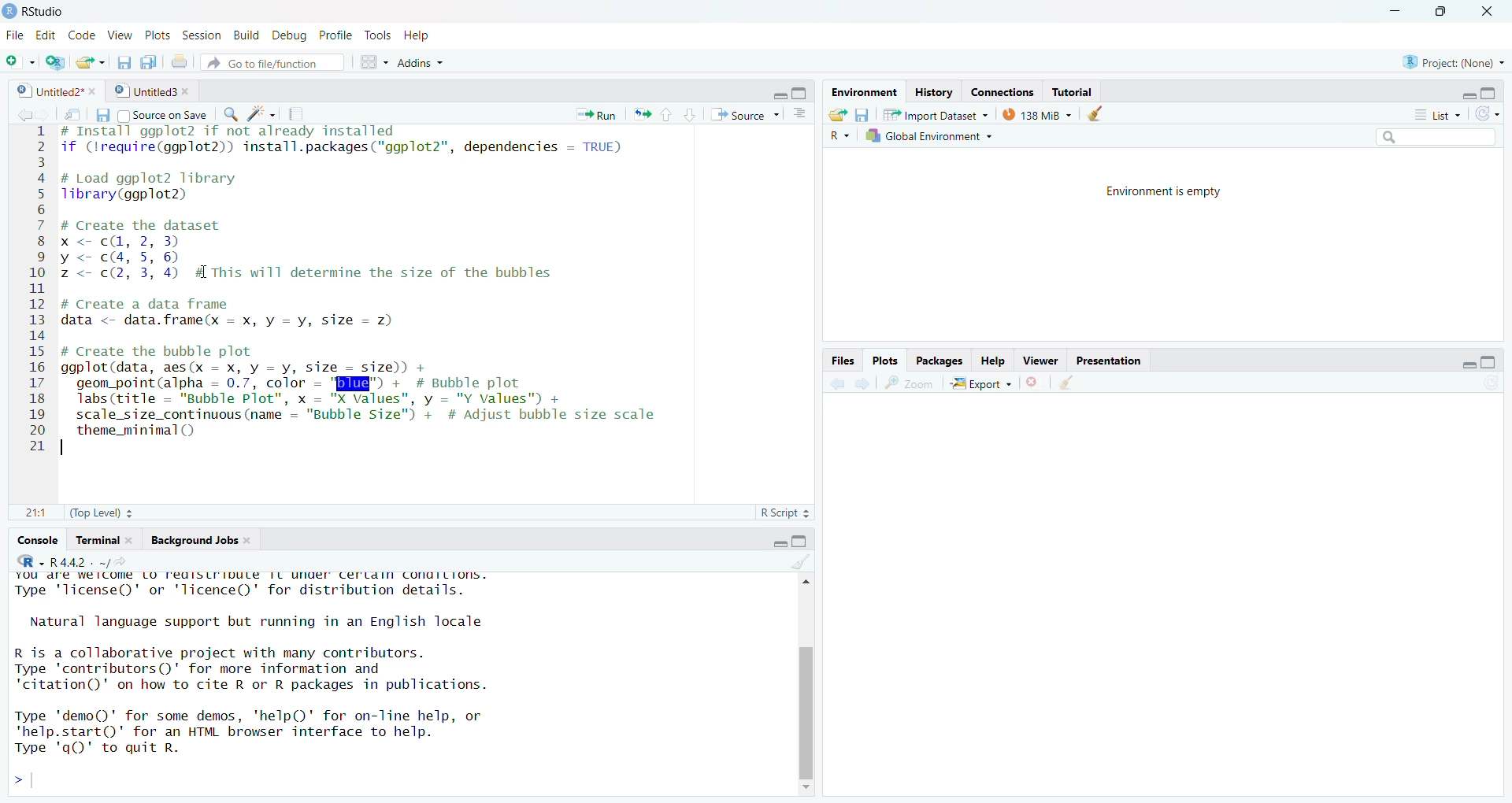 This screenshot has height=803, width=1512. What do you see at coordinates (55, 59) in the screenshot?
I see `Change Project` at bounding box center [55, 59].